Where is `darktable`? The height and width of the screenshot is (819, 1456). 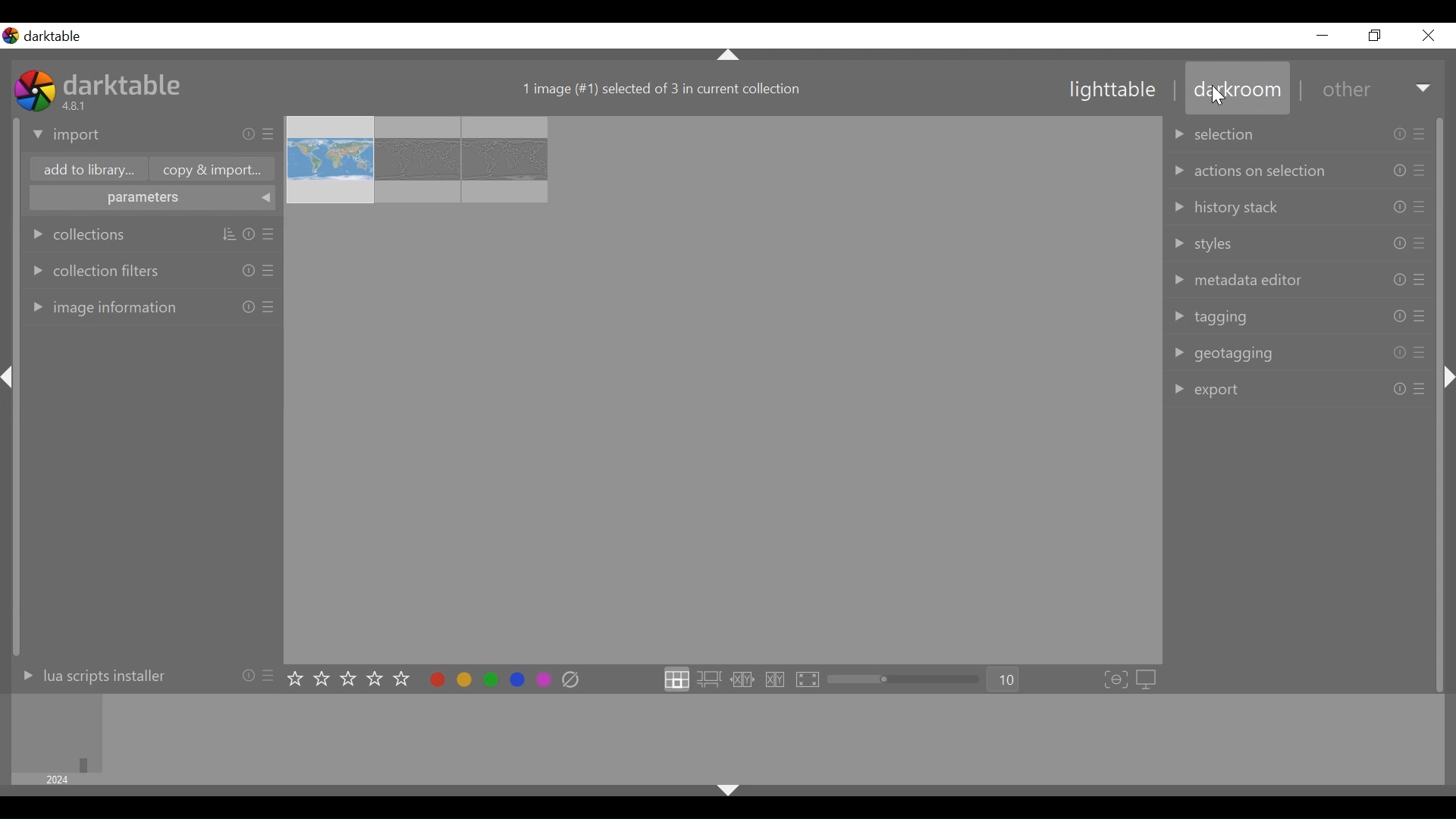
darktable is located at coordinates (125, 85).